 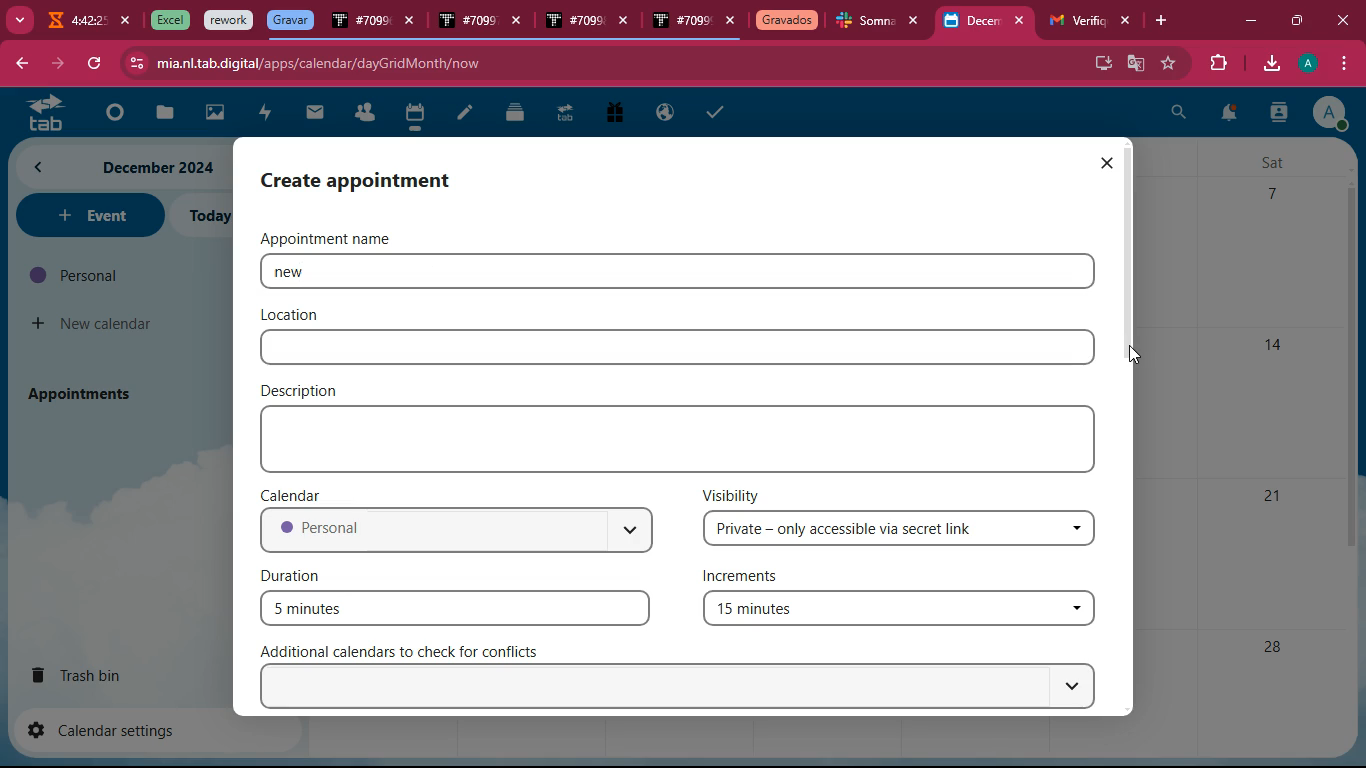 What do you see at coordinates (683, 687) in the screenshot?
I see `select` at bounding box center [683, 687].